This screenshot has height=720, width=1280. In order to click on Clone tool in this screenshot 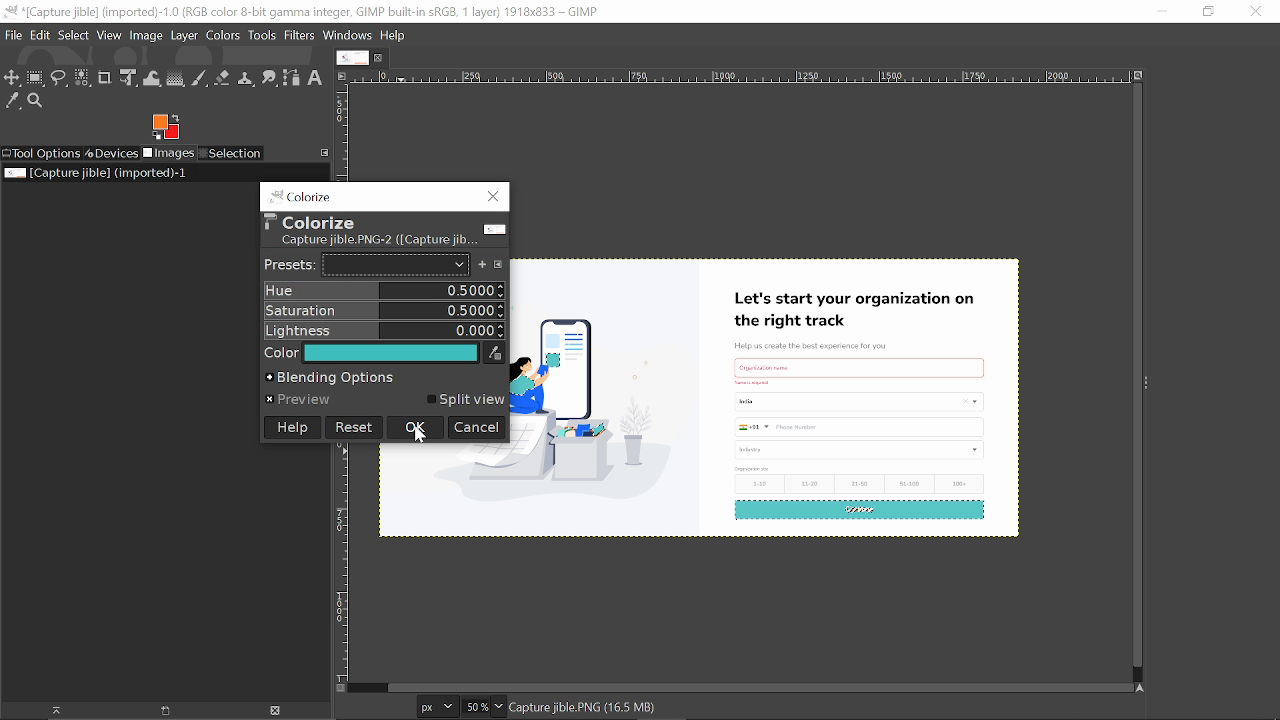, I will do `click(245, 78)`.